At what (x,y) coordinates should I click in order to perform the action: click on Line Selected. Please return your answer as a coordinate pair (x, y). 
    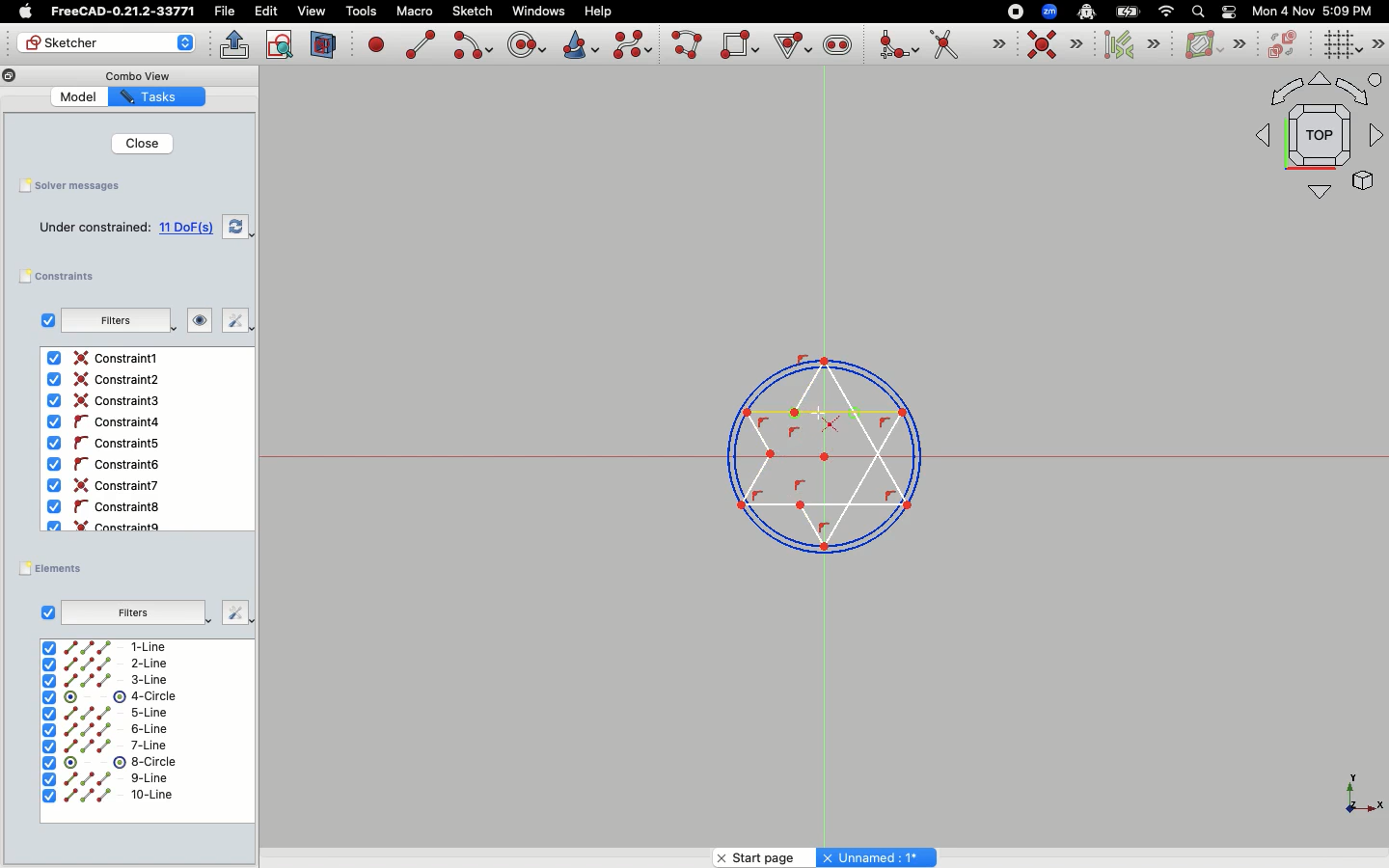
    Looking at the image, I should click on (822, 449).